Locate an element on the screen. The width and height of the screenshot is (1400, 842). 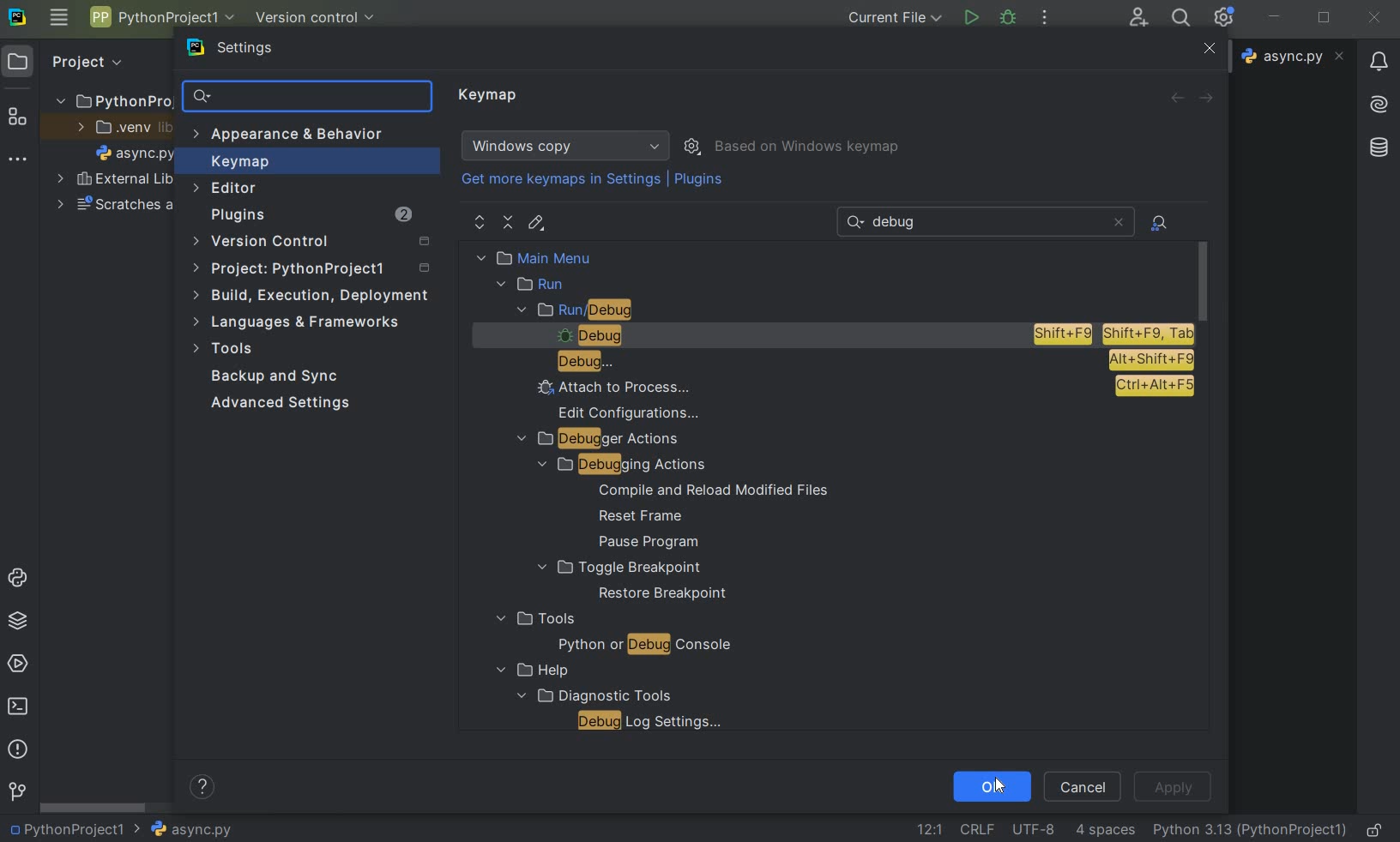
edit configurations is located at coordinates (631, 412).